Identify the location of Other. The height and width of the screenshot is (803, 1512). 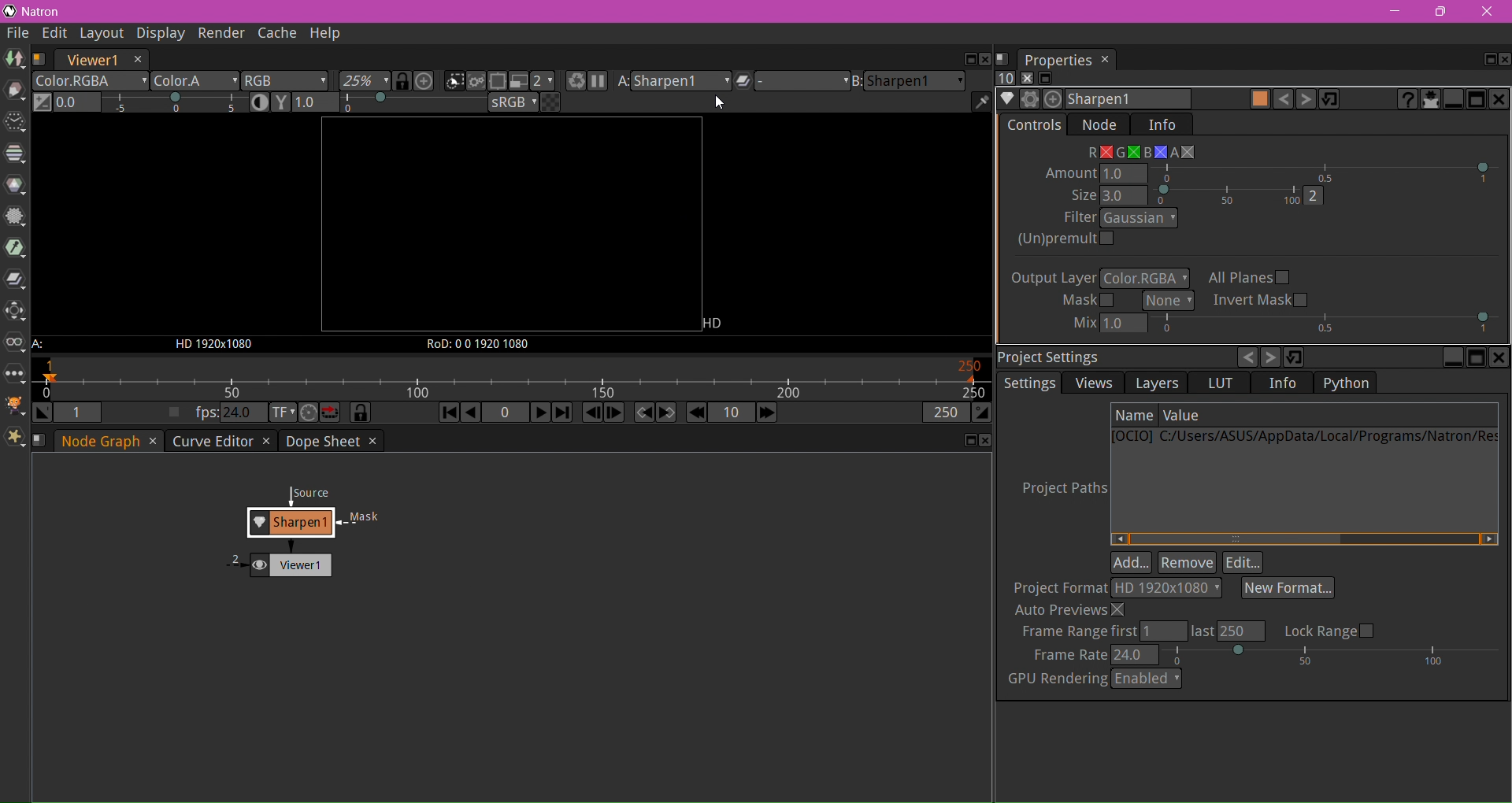
(14, 376).